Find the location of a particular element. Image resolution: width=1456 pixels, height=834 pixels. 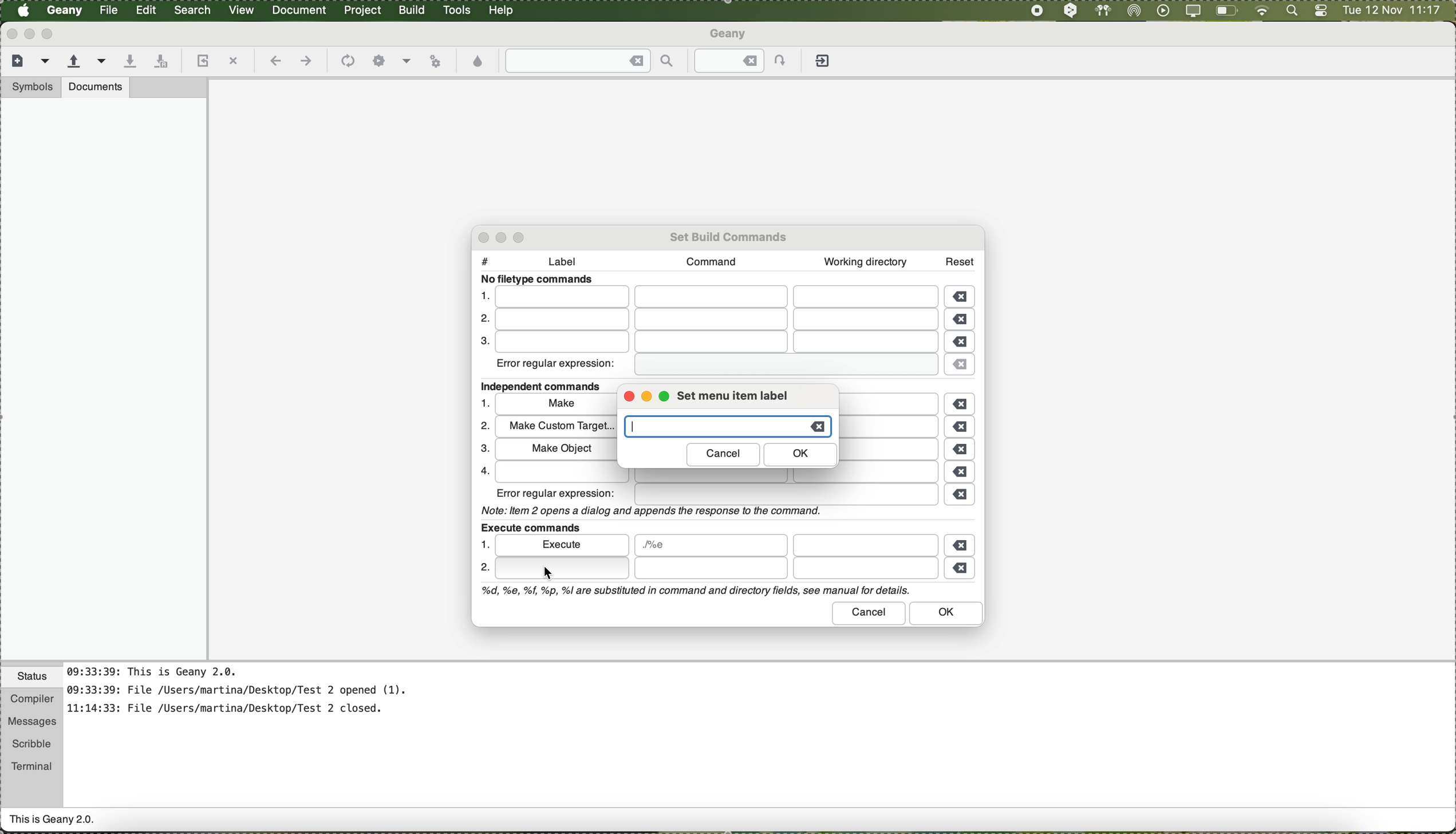

make is located at coordinates (556, 406).